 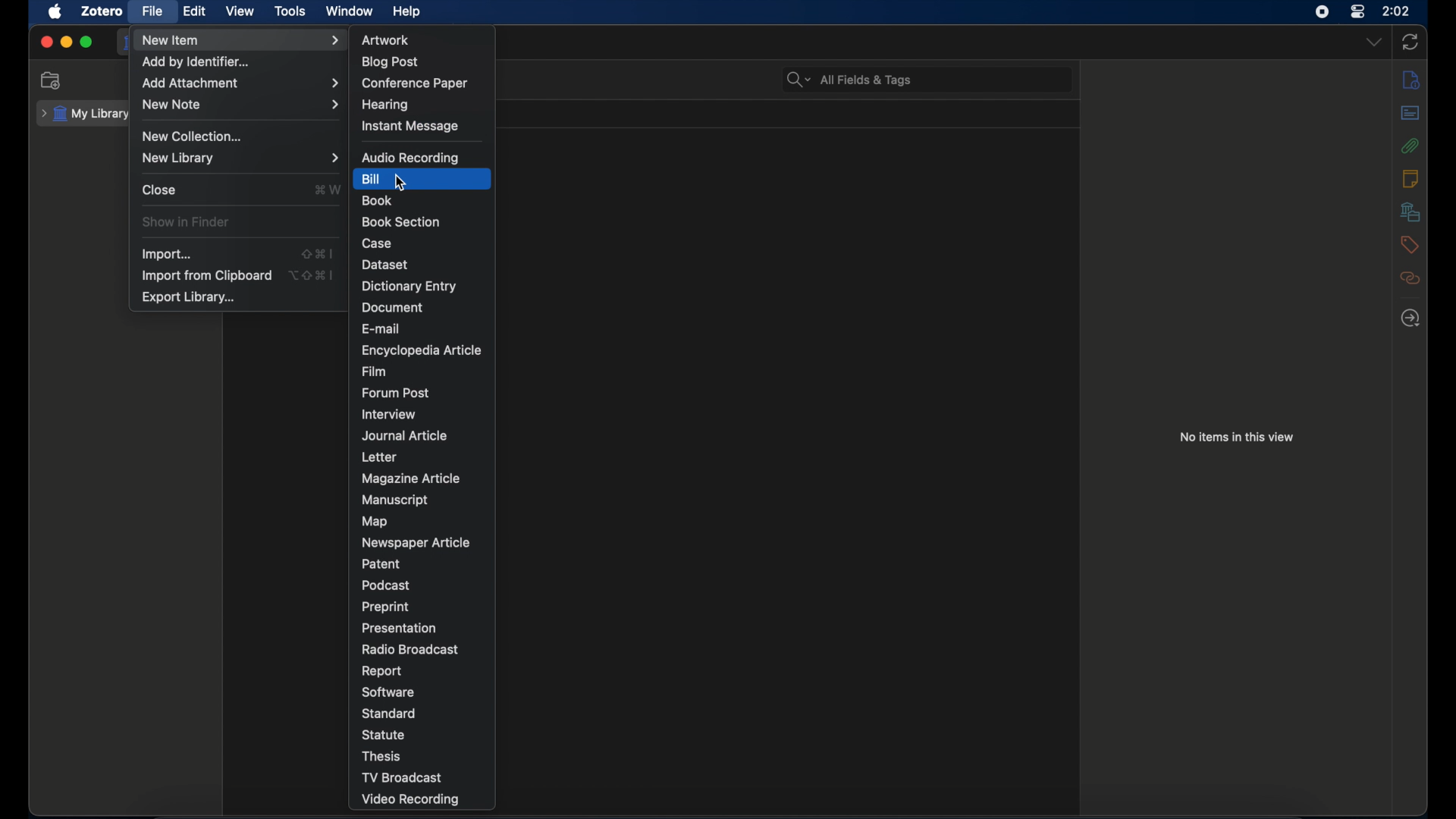 What do you see at coordinates (403, 222) in the screenshot?
I see `book section` at bounding box center [403, 222].